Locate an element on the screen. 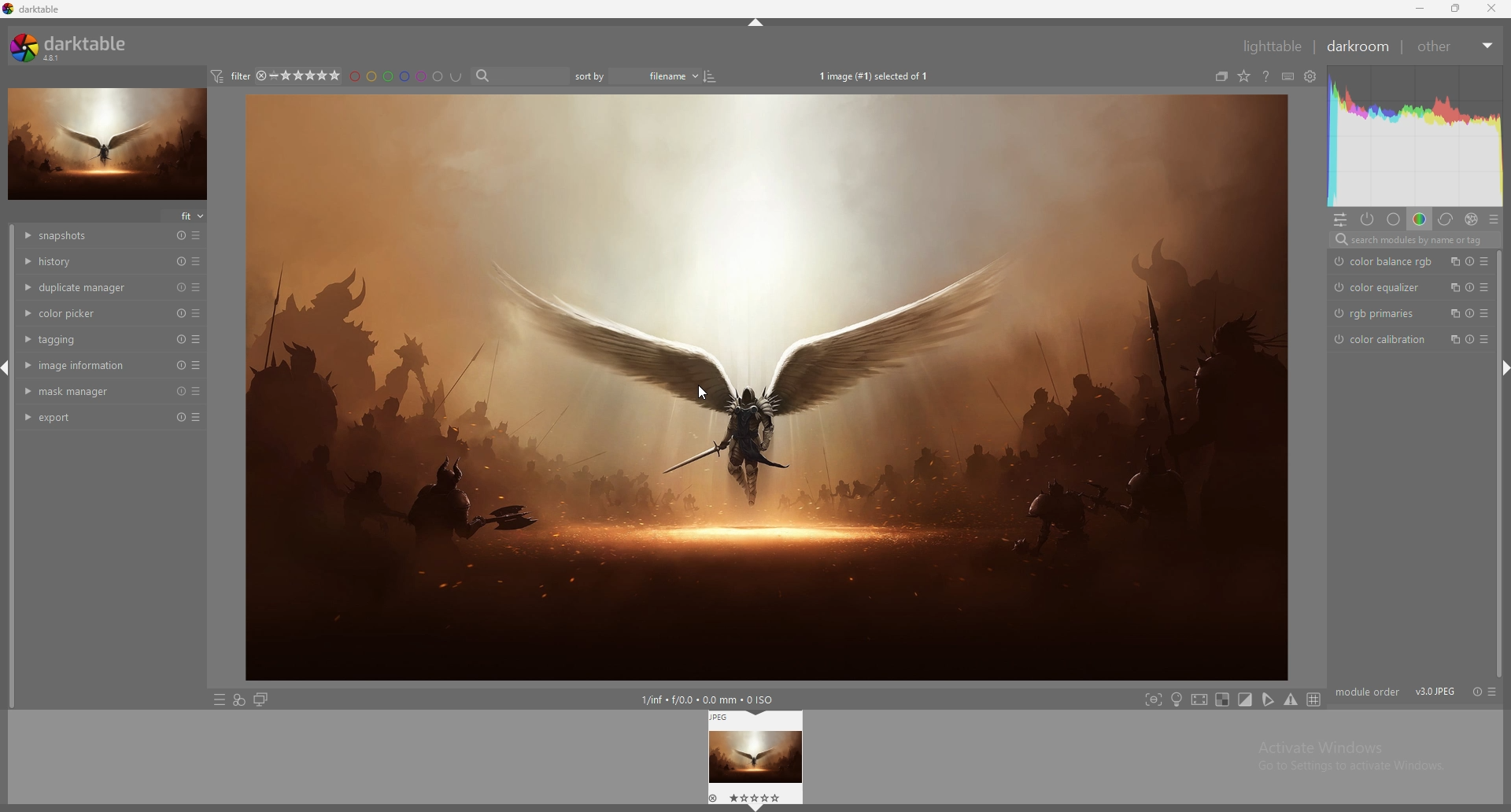  minimize is located at coordinates (1420, 9).